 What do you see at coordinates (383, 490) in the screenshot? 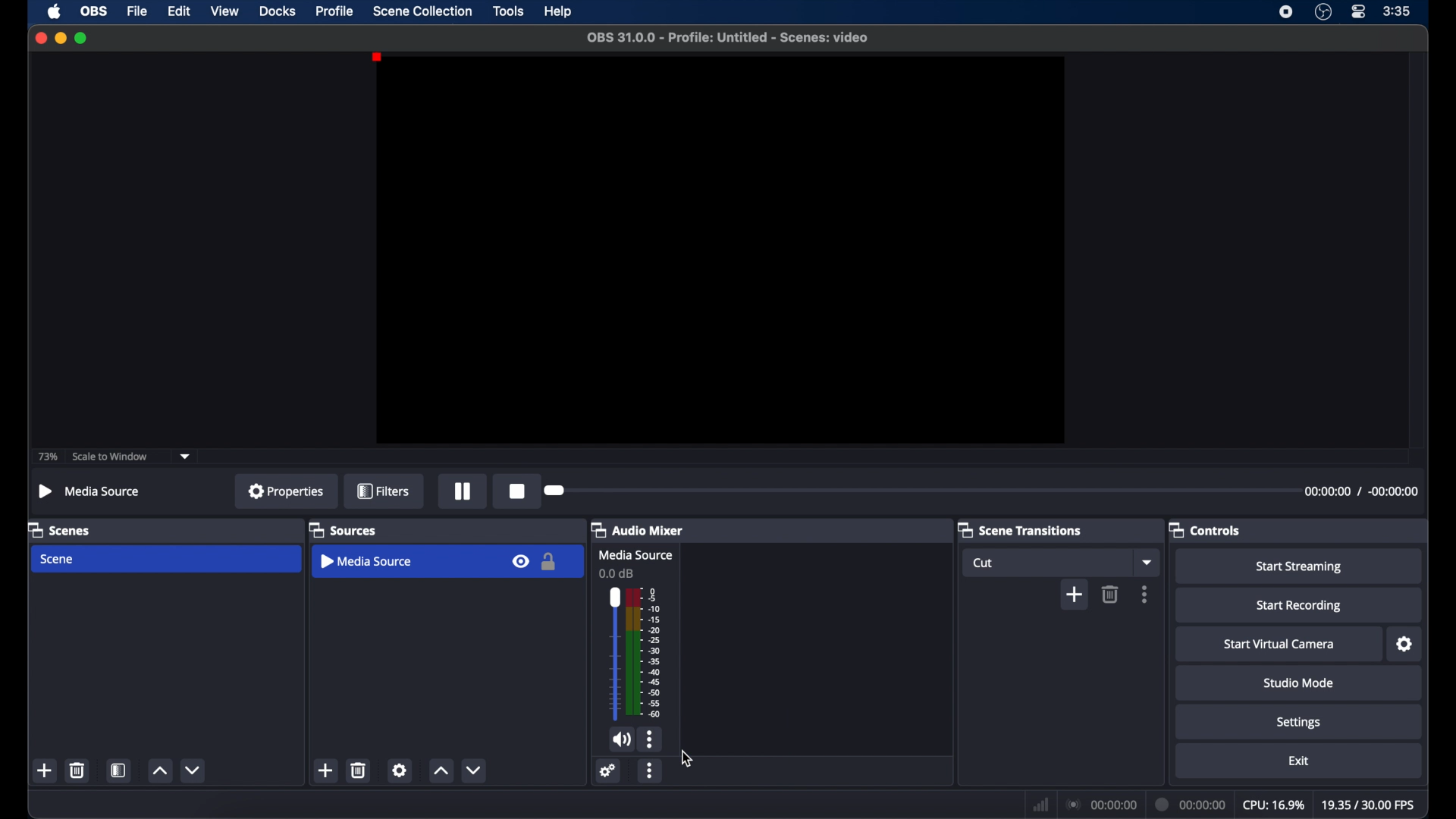
I see `filter` at bounding box center [383, 490].